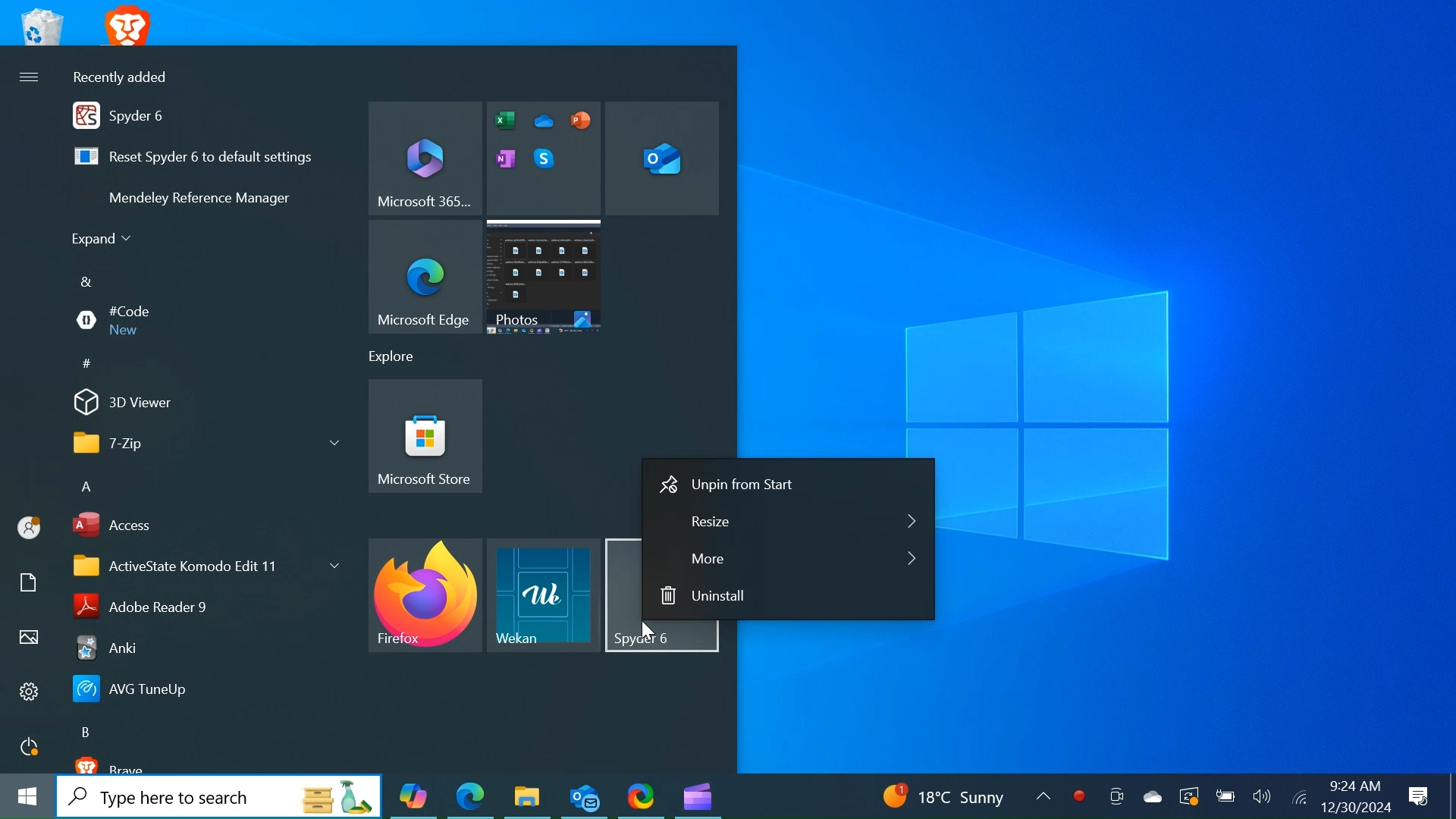 This screenshot has height=819, width=1456. I want to click on Charge, so click(1225, 795).